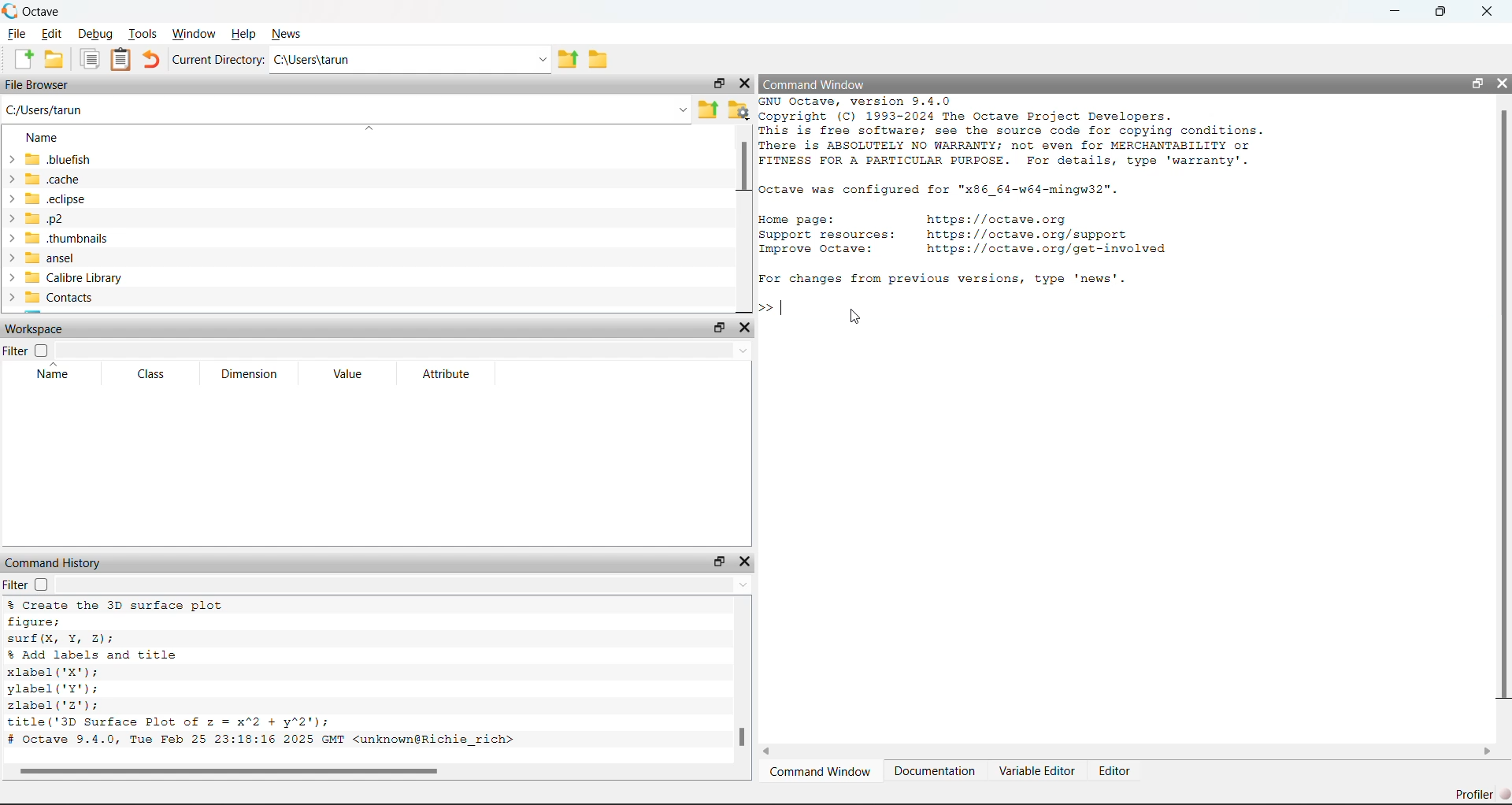  Describe the element at coordinates (965, 234) in the screenshot. I see `Home page: https: //octave.org
Support resources:  https://octave.org/support
Improve Octave: https: //octave.org/get-involved` at that location.